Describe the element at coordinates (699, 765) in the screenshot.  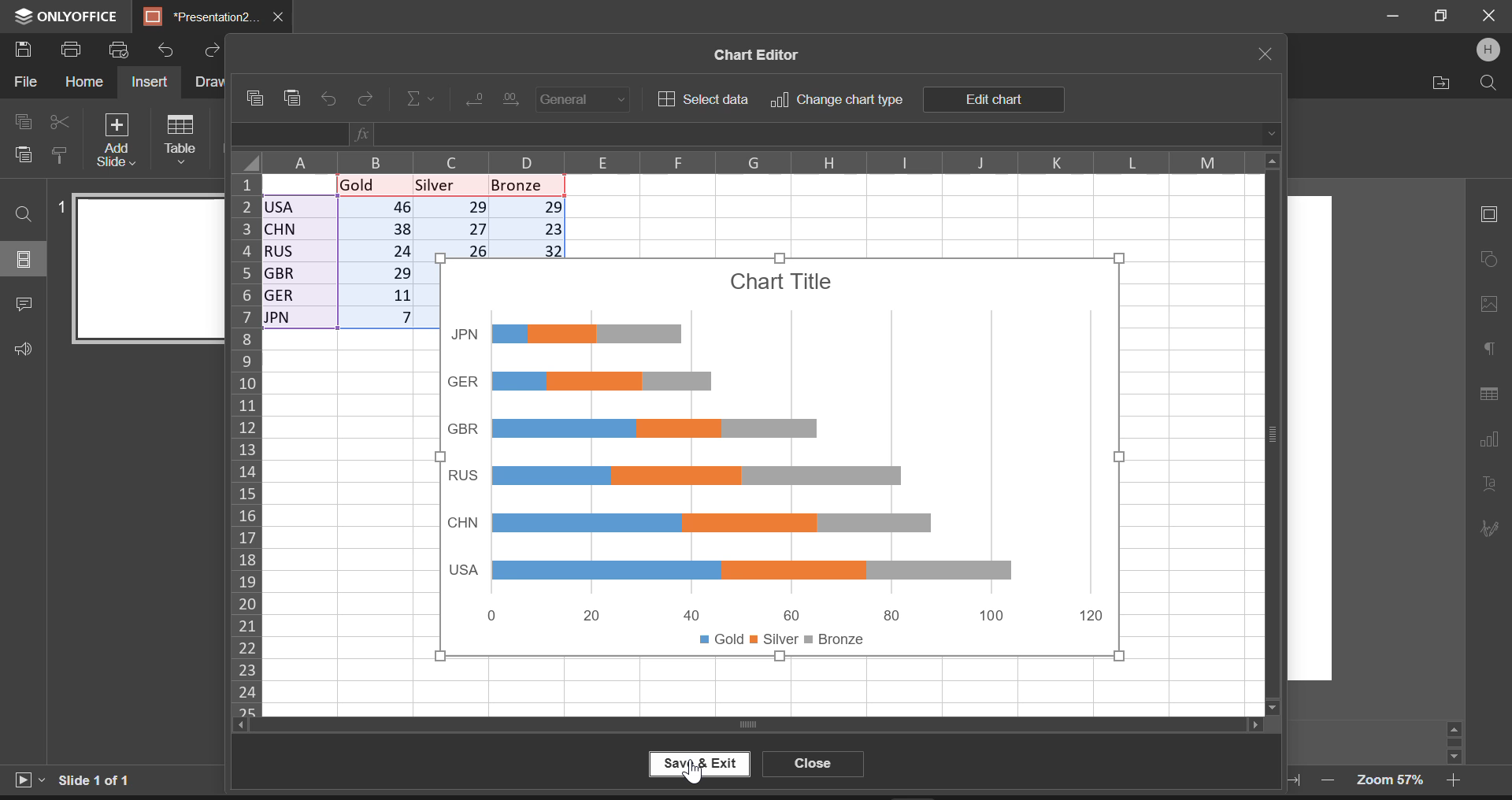
I see `Save & Exit` at that location.